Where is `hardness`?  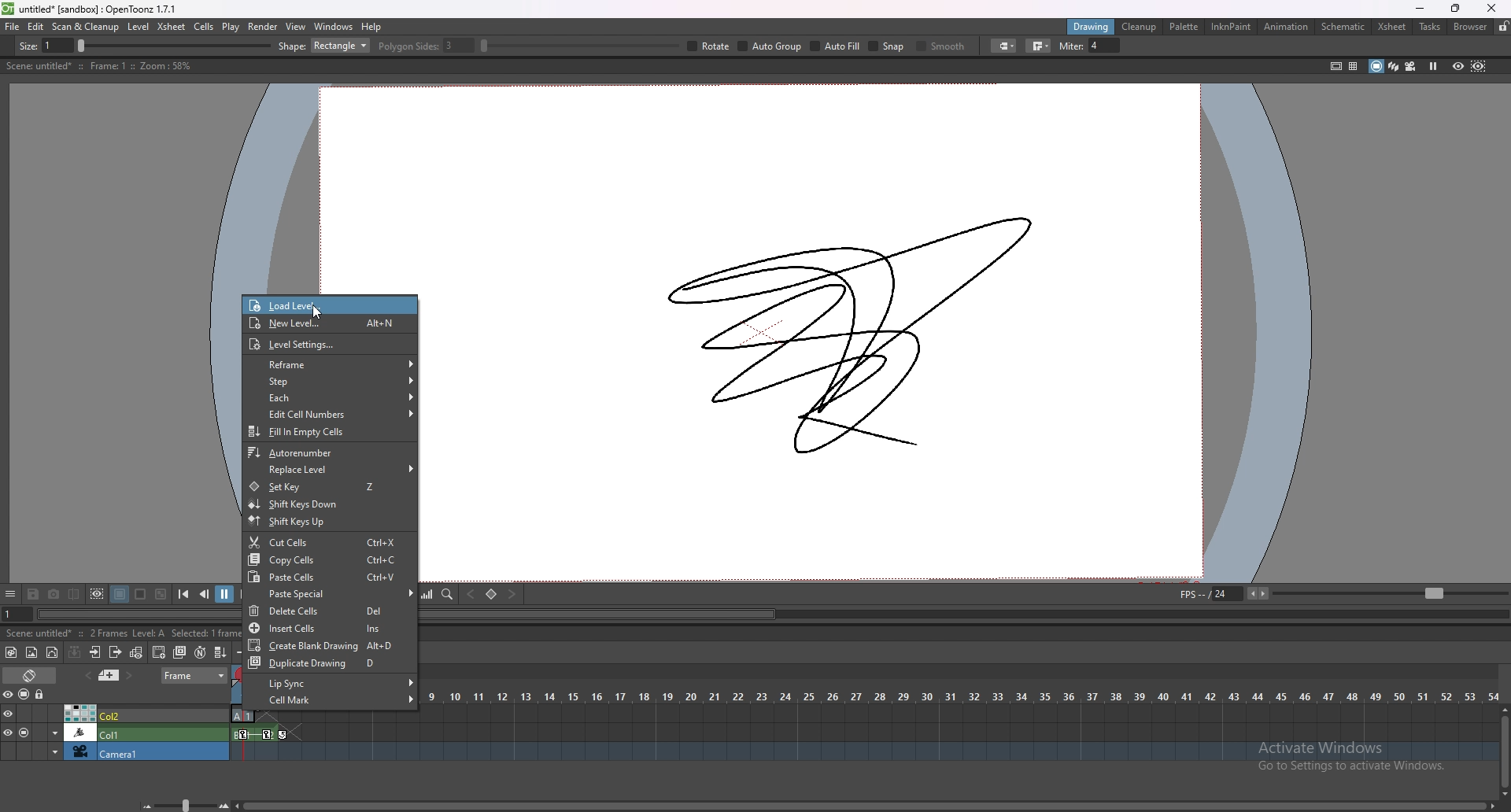
hardness is located at coordinates (448, 46).